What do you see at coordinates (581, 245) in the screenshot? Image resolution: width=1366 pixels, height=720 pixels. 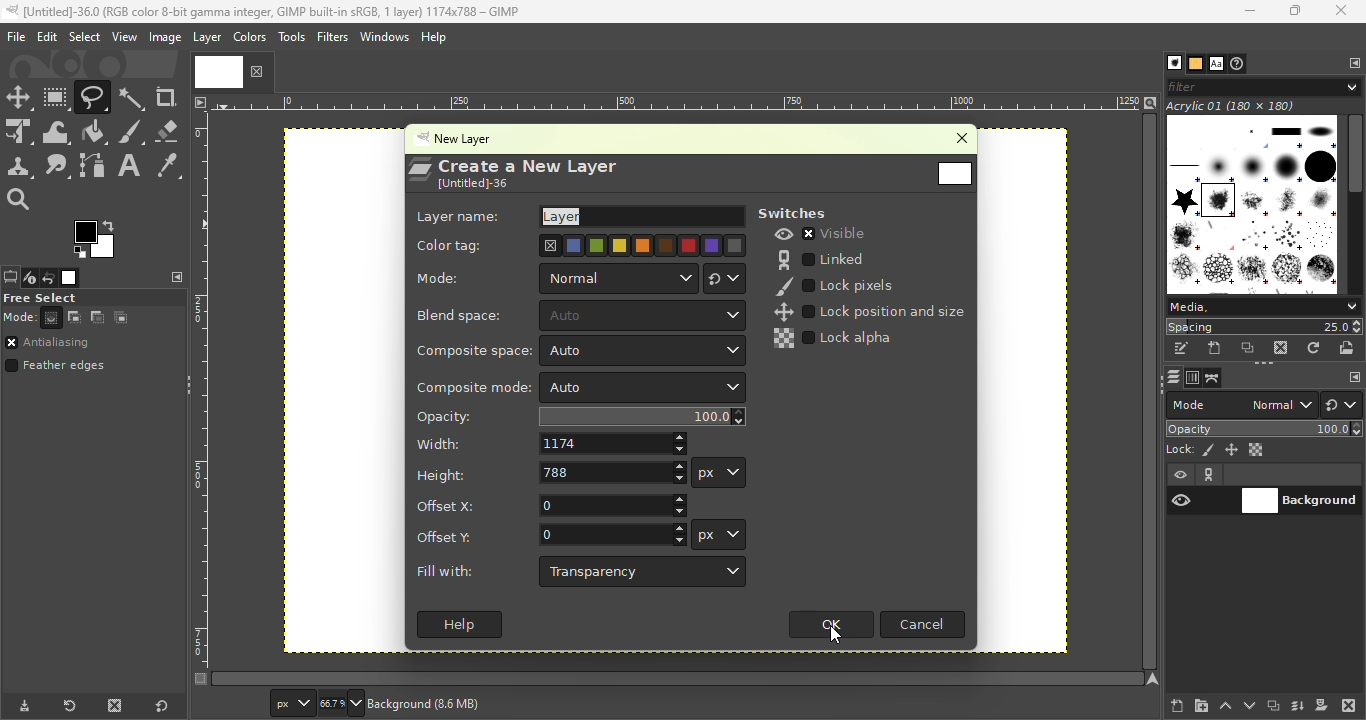 I see `Color tag` at bounding box center [581, 245].